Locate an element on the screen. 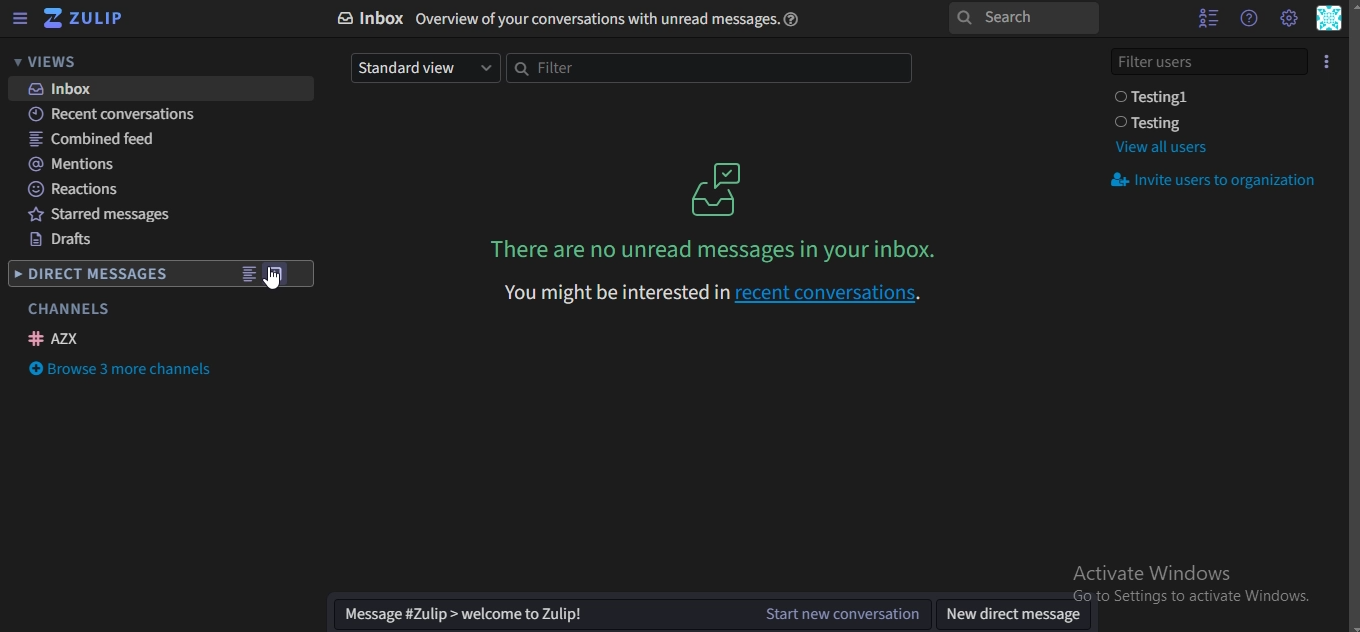  mentions is located at coordinates (76, 164).